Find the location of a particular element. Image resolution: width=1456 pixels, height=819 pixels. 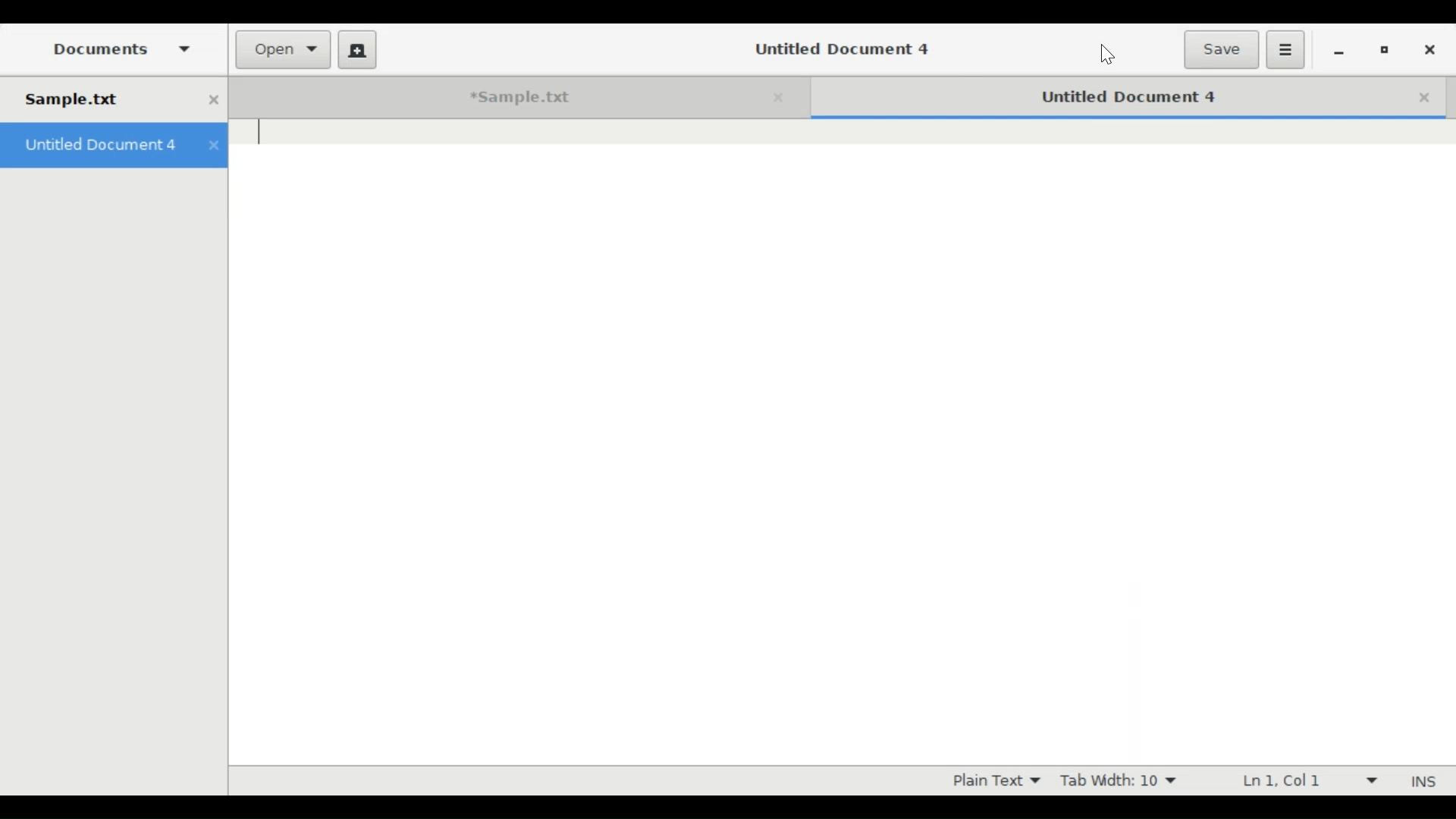

Save is located at coordinates (1222, 50).